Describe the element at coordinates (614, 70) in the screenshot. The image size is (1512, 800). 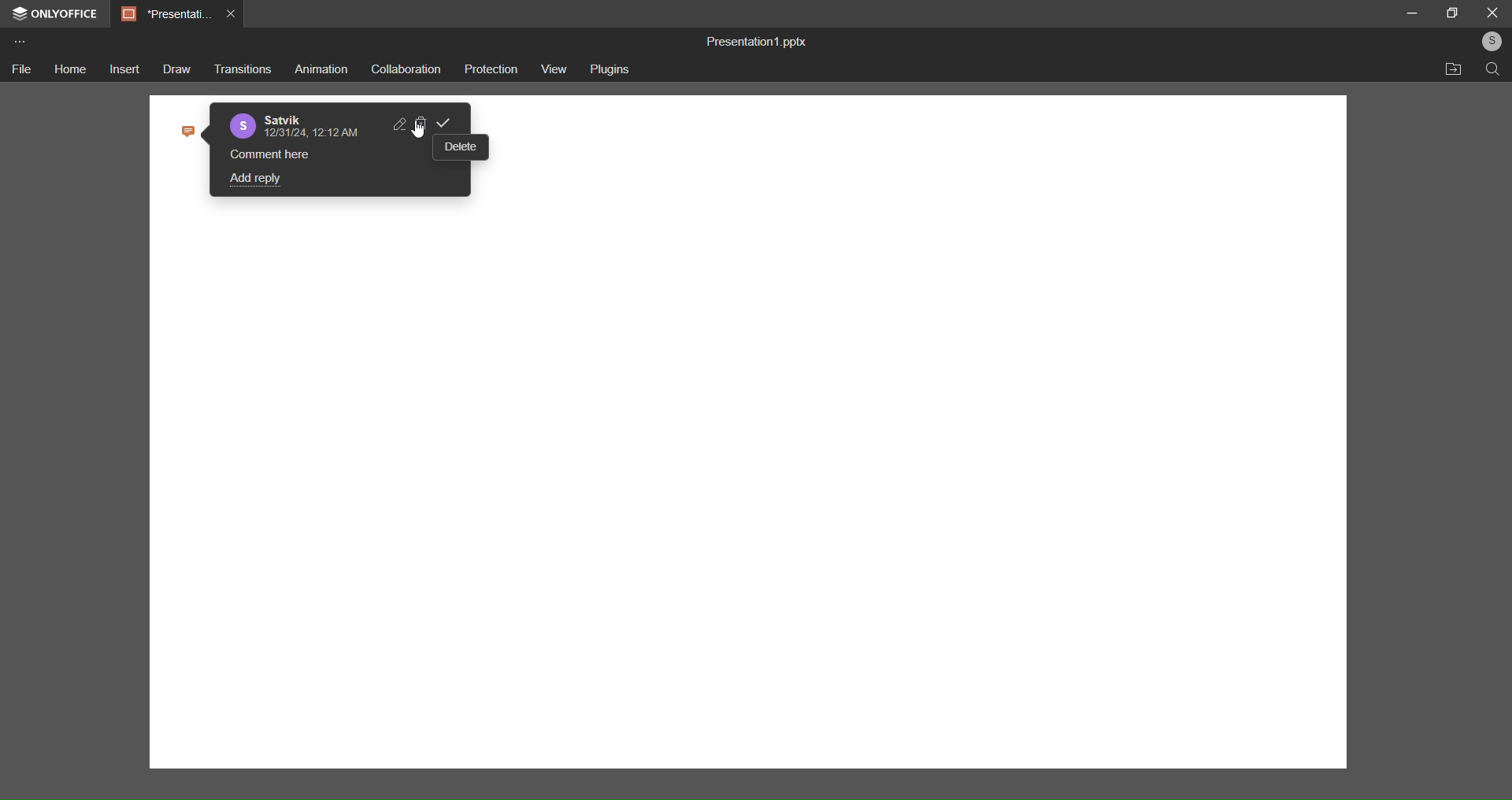
I see `plugins` at that location.